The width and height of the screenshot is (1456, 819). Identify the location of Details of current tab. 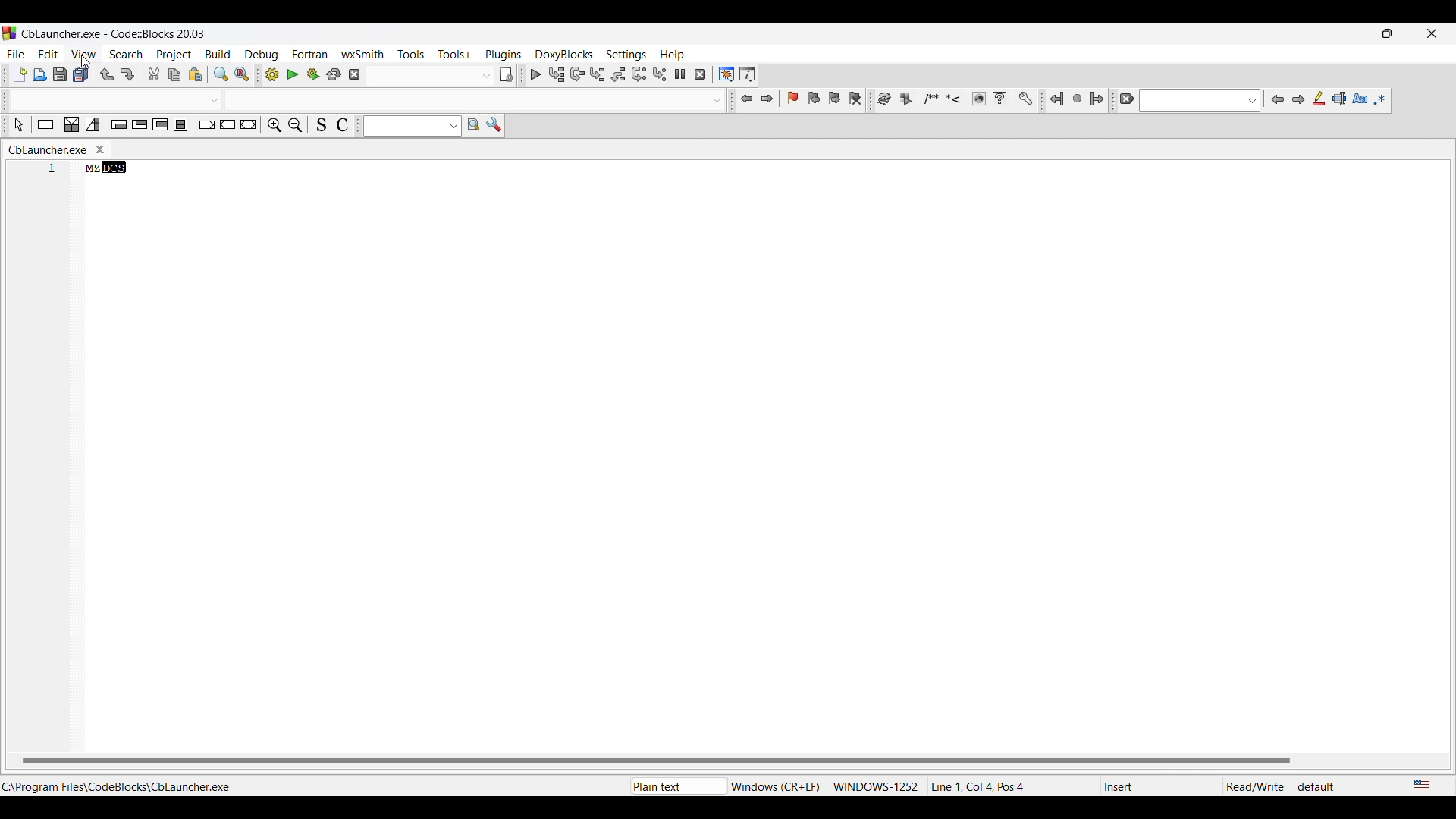
(987, 786).